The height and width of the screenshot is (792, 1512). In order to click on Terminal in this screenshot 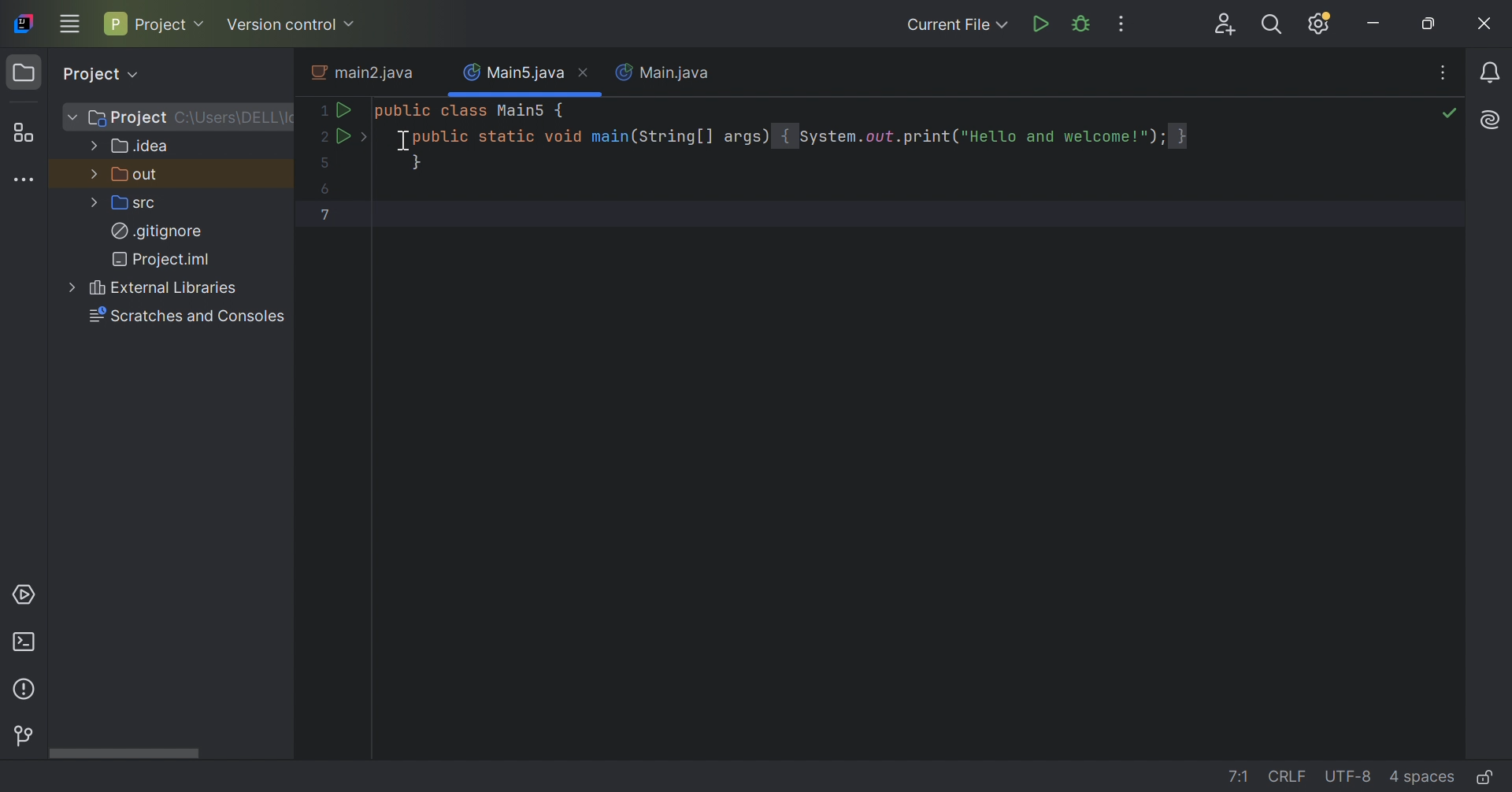, I will do `click(27, 643)`.